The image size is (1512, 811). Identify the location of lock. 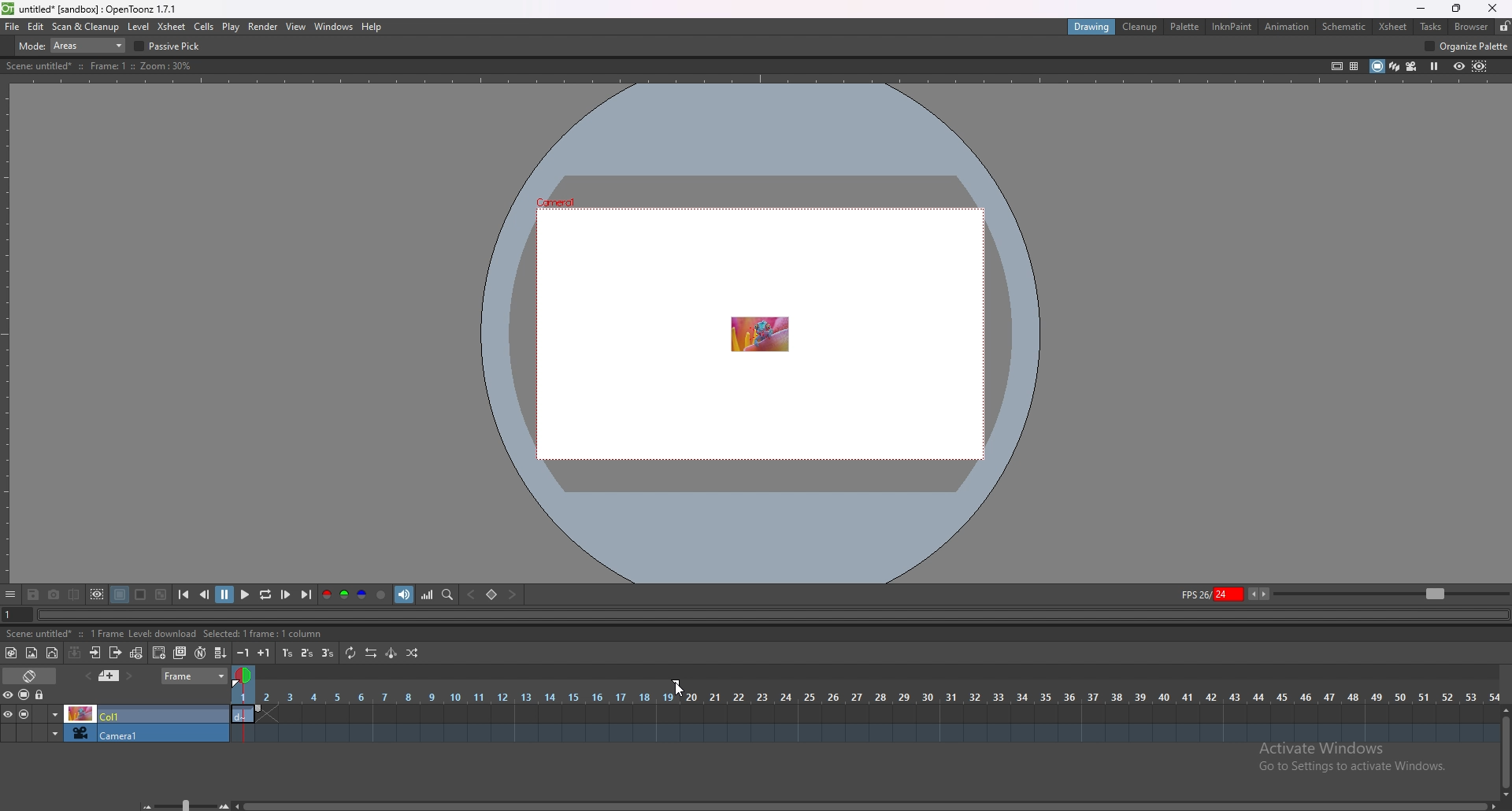
(41, 694).